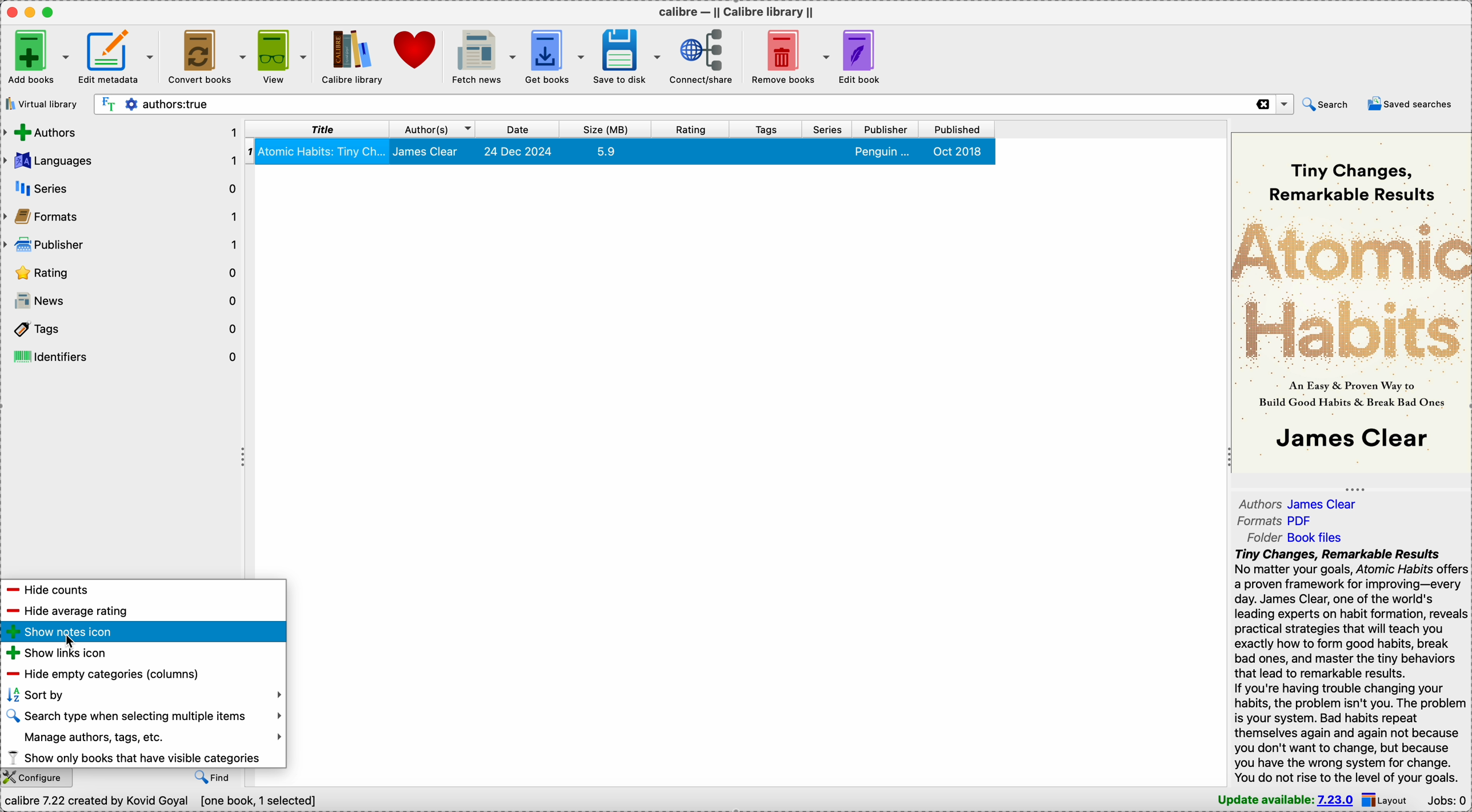 The height and width of the screenshot is (812, 1472). What do you see at coordinates (625, 58) in the screenshot?
I see `save to disk` at bounding box center [625, 58].